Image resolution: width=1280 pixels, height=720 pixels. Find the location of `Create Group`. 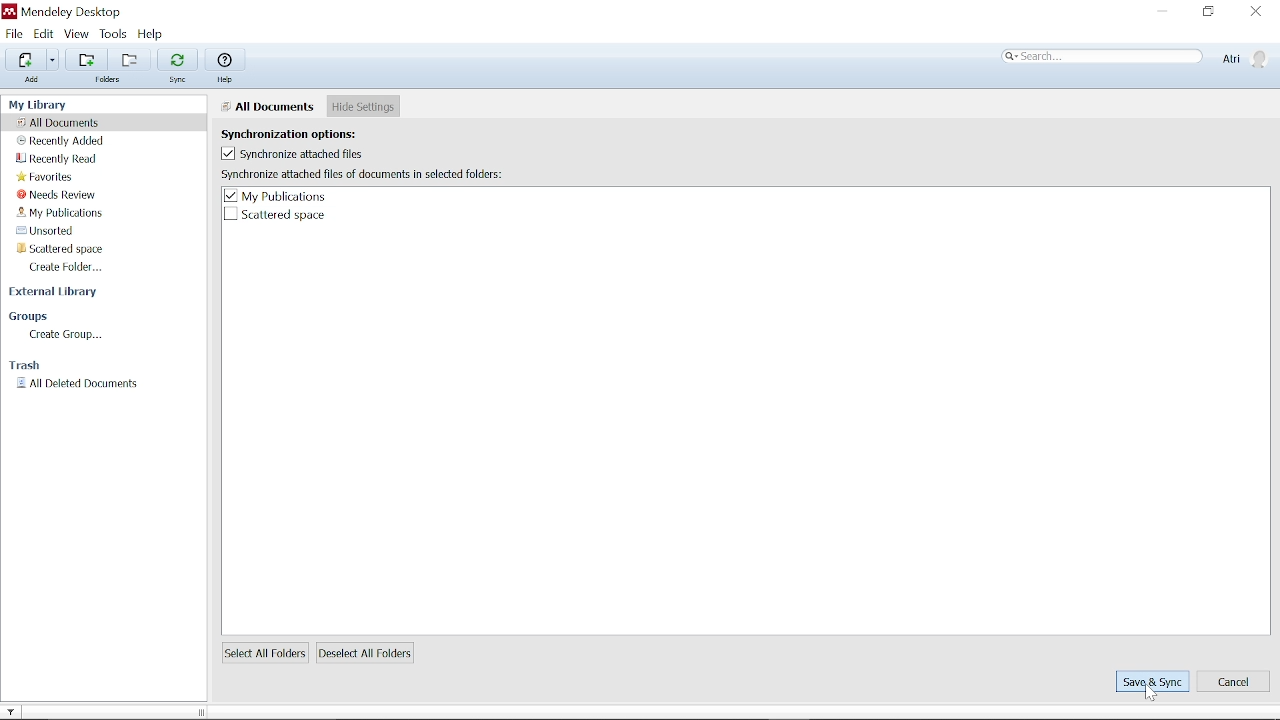

Create Group is located at coordinates (64, 334).